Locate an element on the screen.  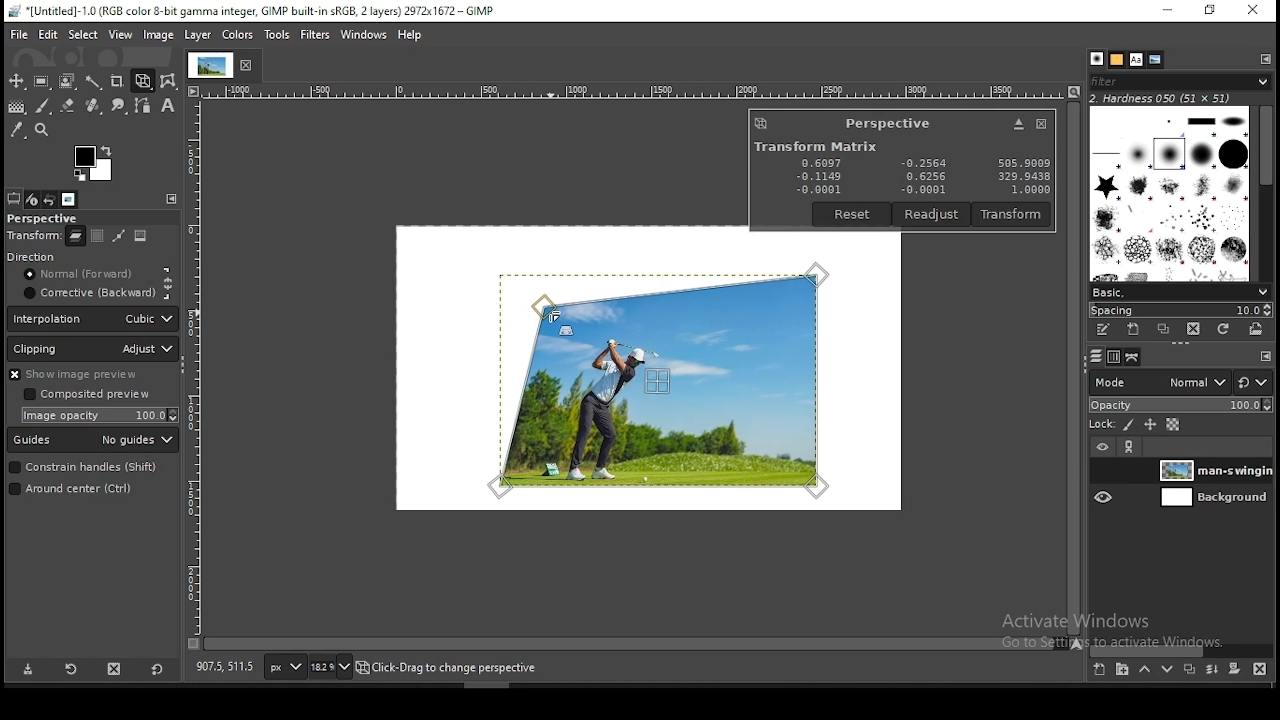
refresh brushes is located at coordinates (1224, 328).